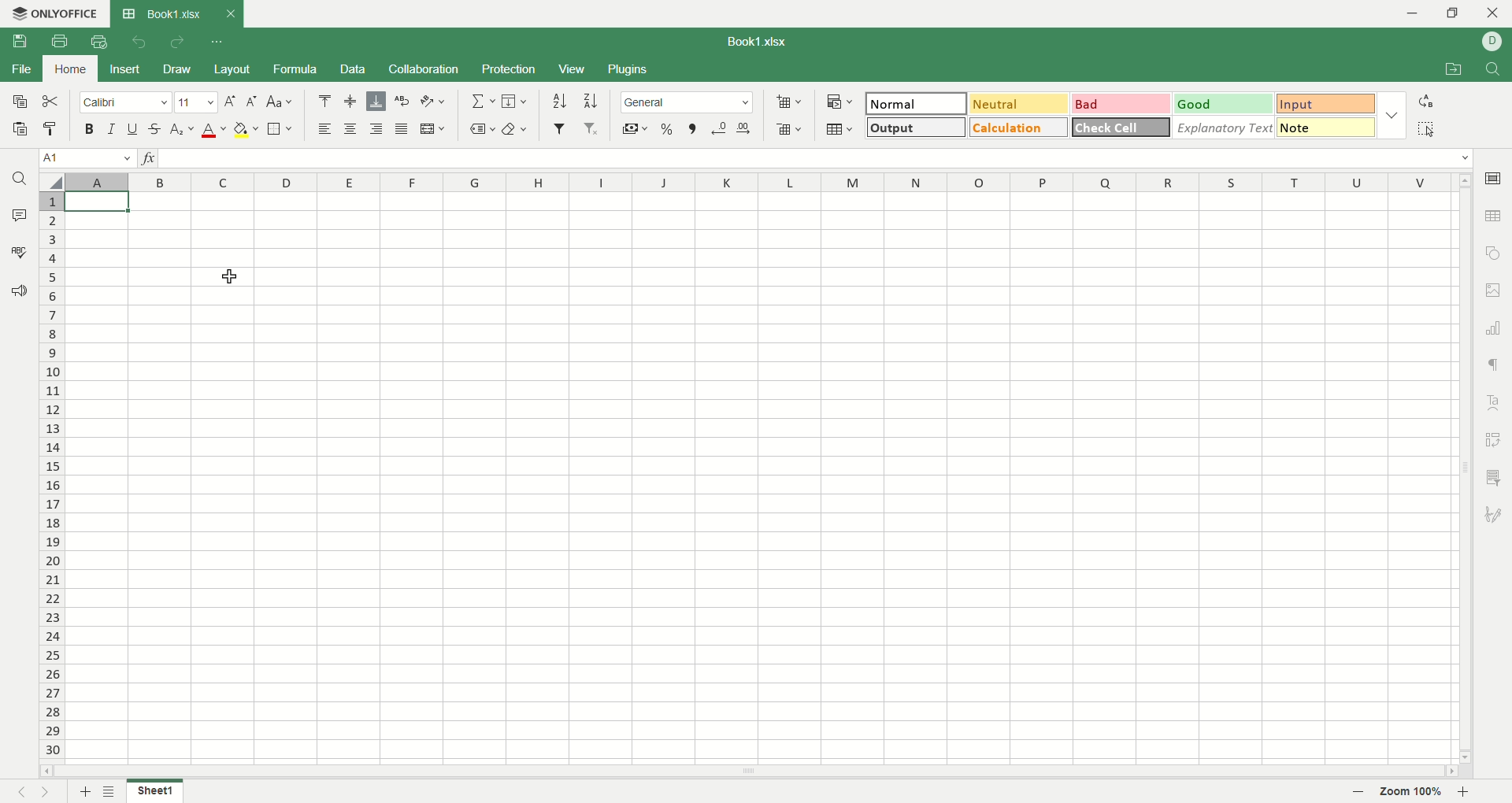  What do you see at coordinates (514, 102) in the screenshot?
I see `fill` at bounding box center [514, 102].